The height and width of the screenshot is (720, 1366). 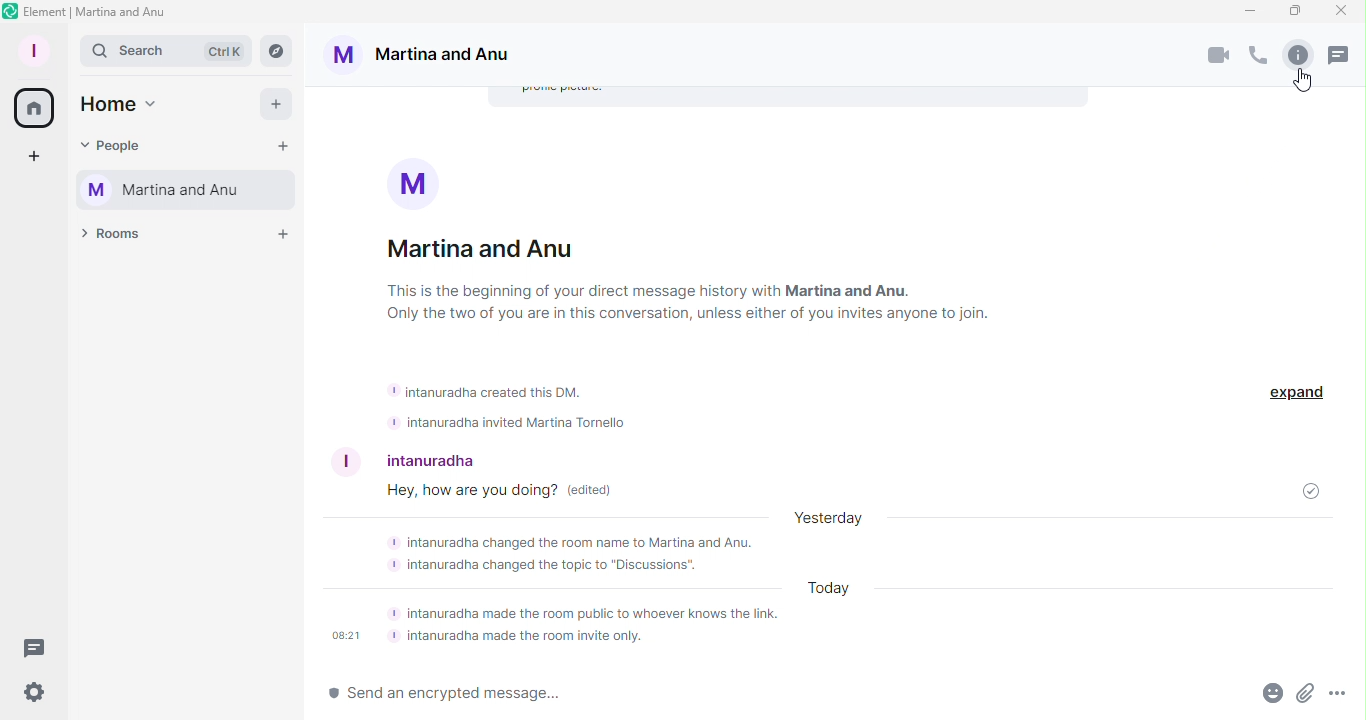 What do you see at coordinates (187, 190) in the screenshot?
I see `Martina and Anu` at bounding box center [187, 190].